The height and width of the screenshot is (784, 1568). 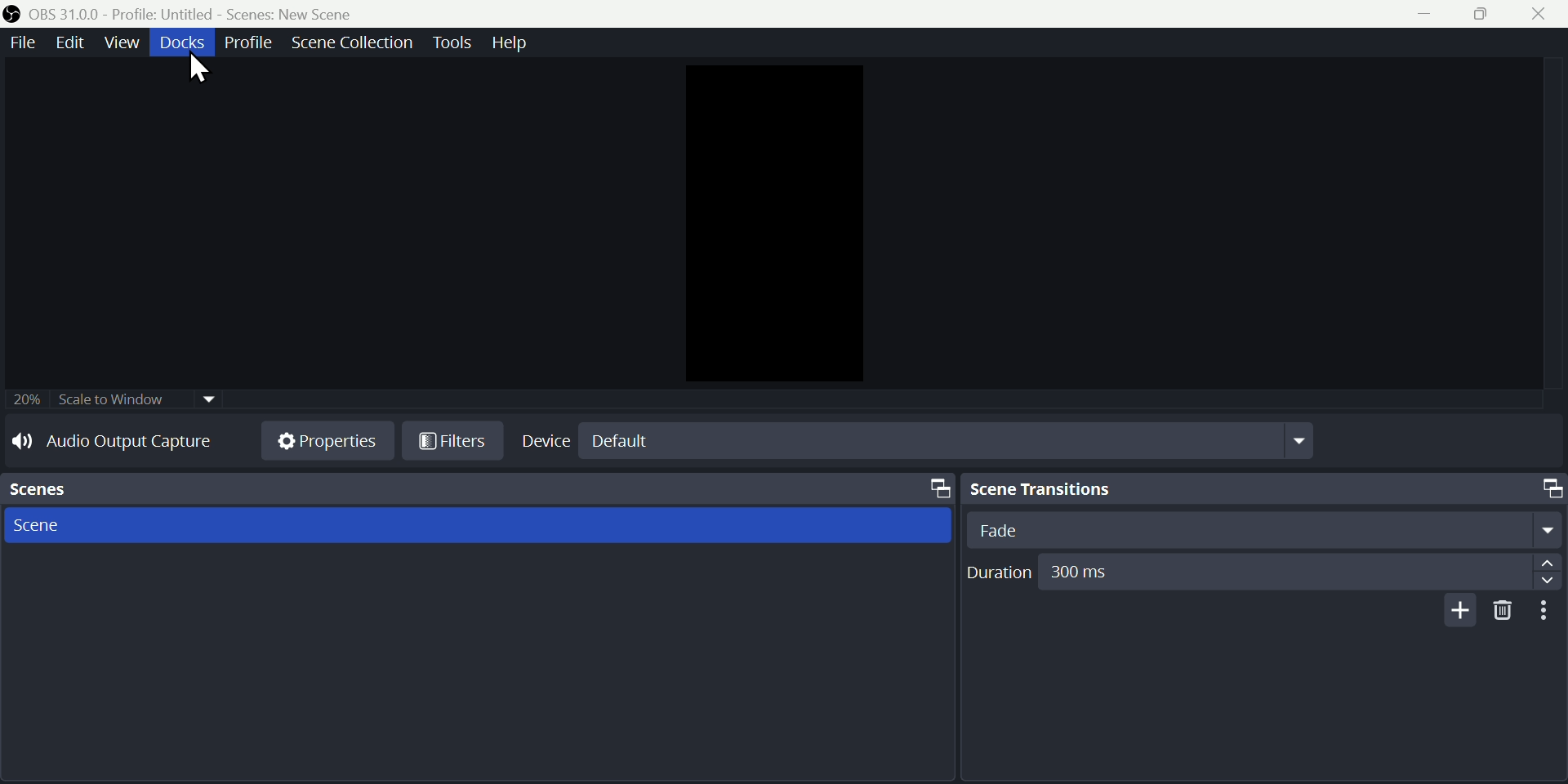 What do you see at coordinates (234, 13) in the screenshot?
I see `OBS 31.0.0 - Profile. Untitled - Scenes. New Scene` at bounding box center [234, 13].